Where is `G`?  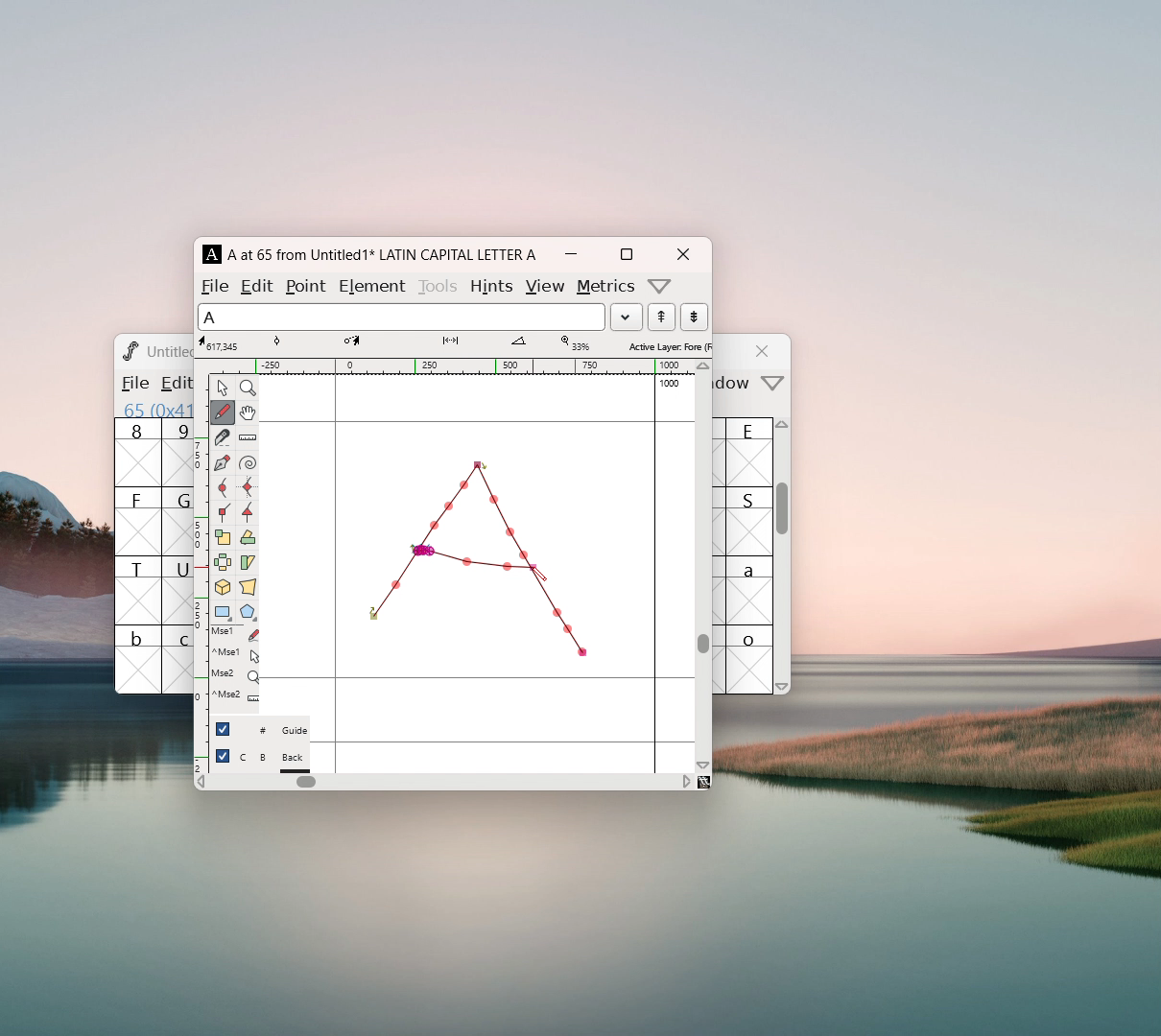
G is located at coordinates (177, 521).